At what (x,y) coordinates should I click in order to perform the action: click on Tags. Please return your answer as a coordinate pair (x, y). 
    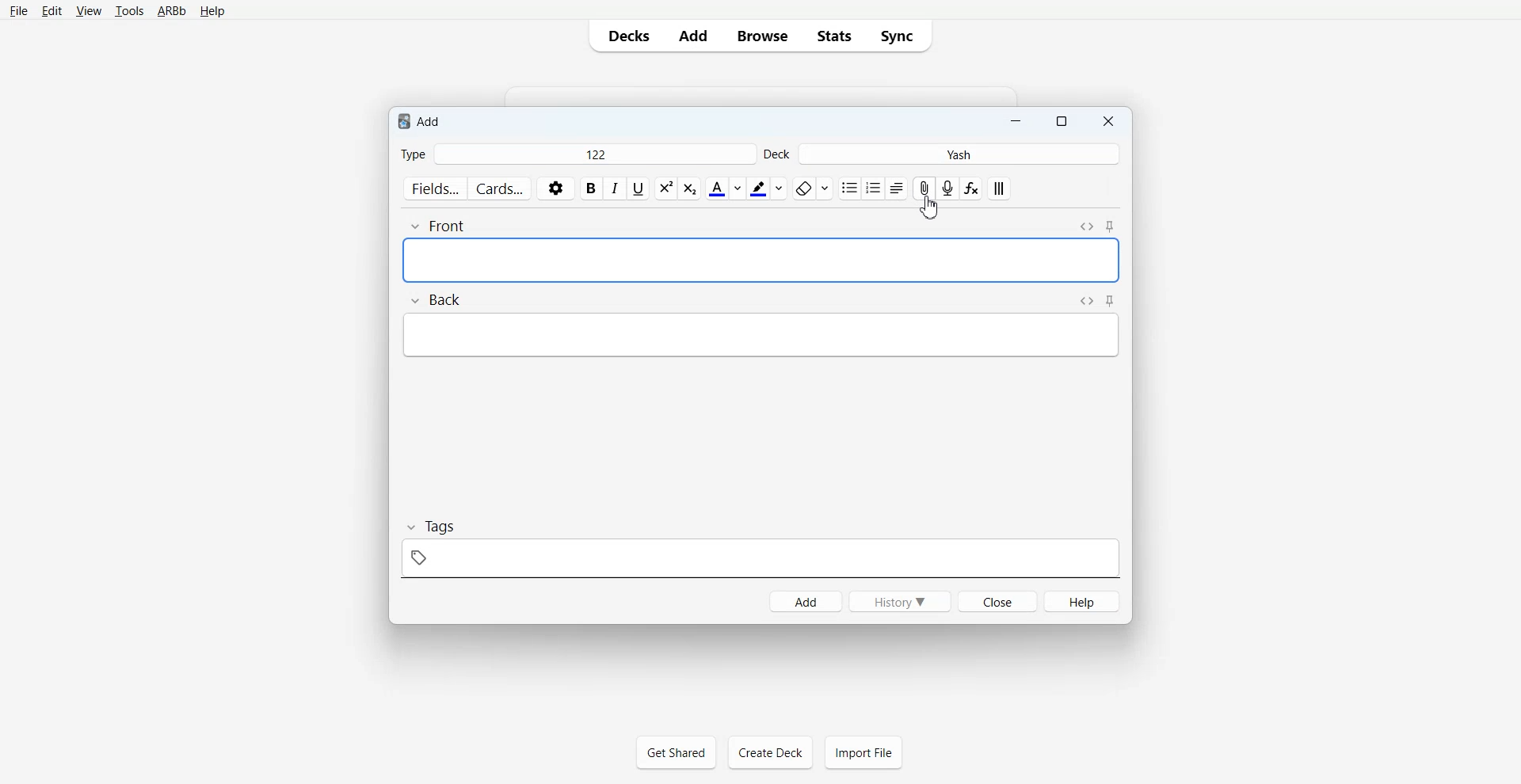
    Looking at the image, I should click on (762, 549).